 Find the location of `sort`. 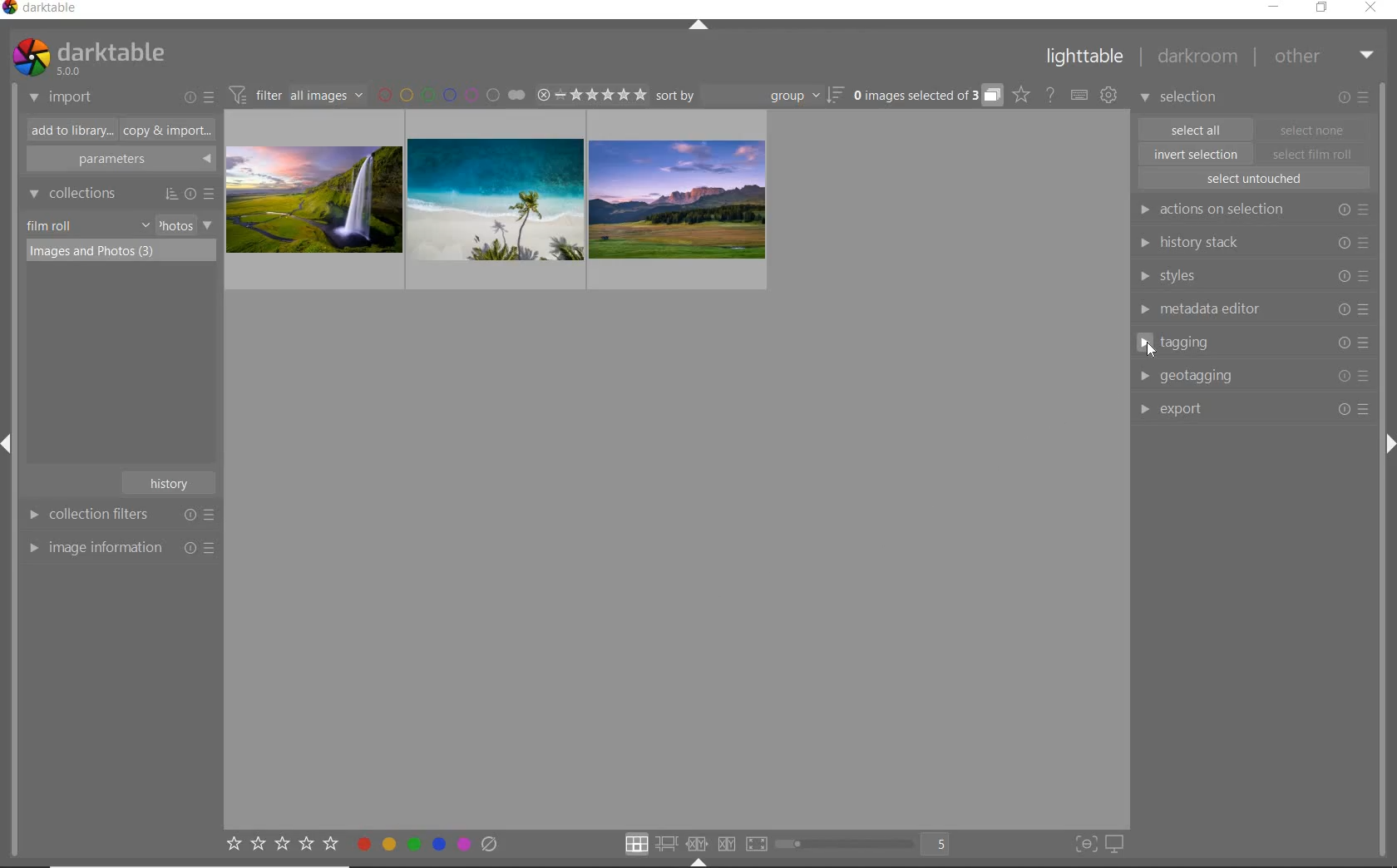

sort is located at coordinates (750, 96).